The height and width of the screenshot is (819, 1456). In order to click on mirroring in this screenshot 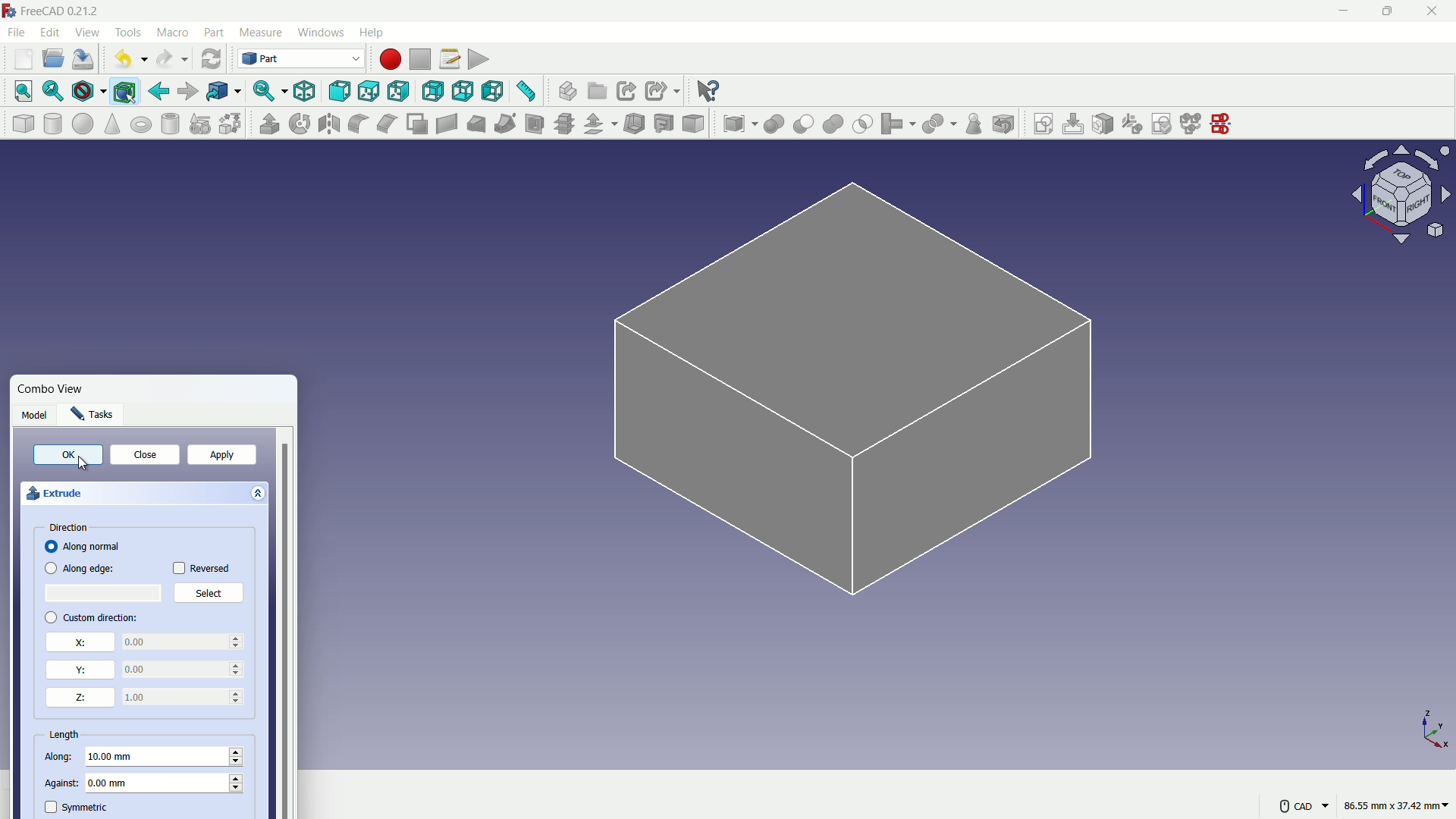, I will do `click(330, 124)`.